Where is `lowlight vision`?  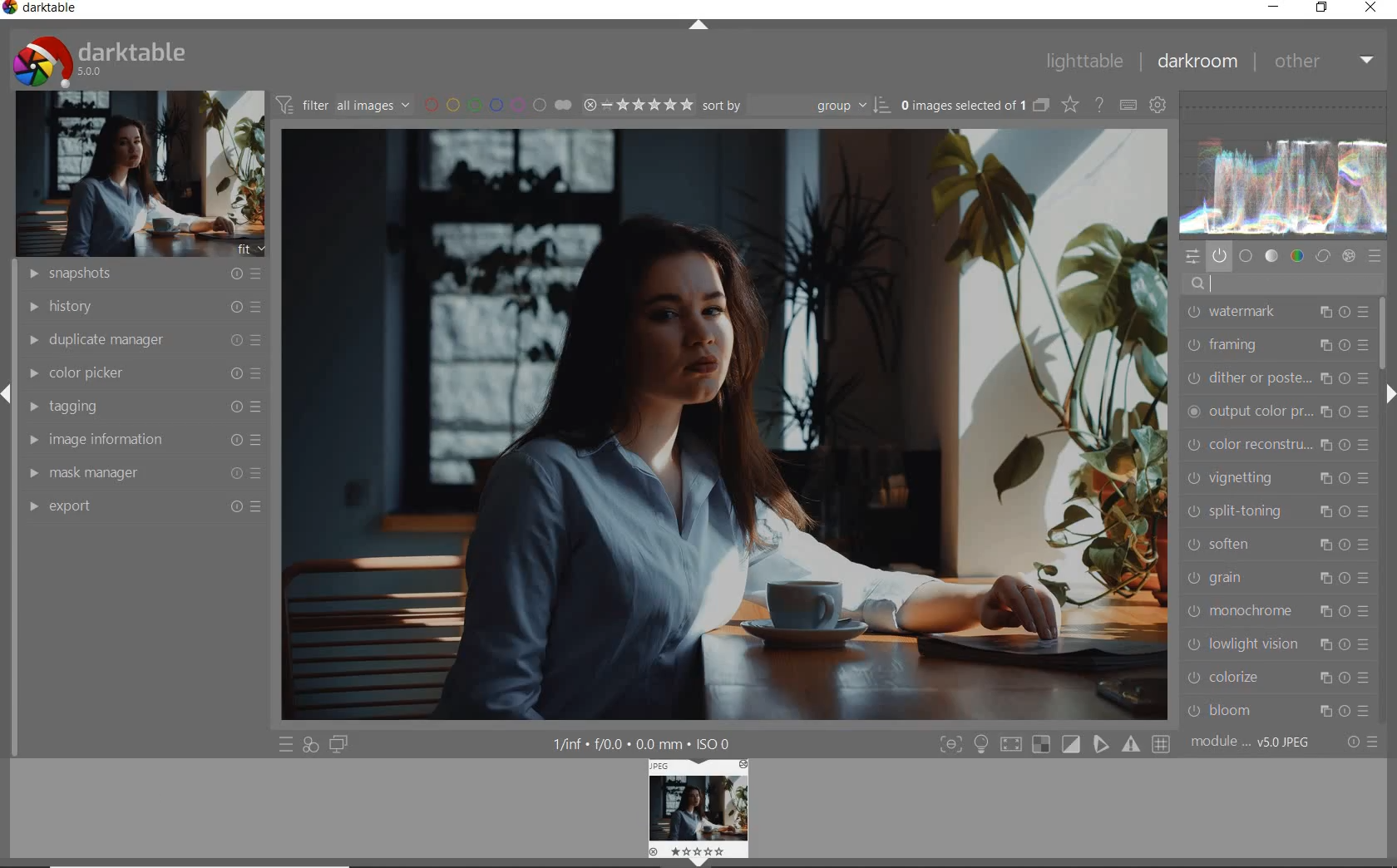
lowlight vision is located at coordinates (1276, 644).